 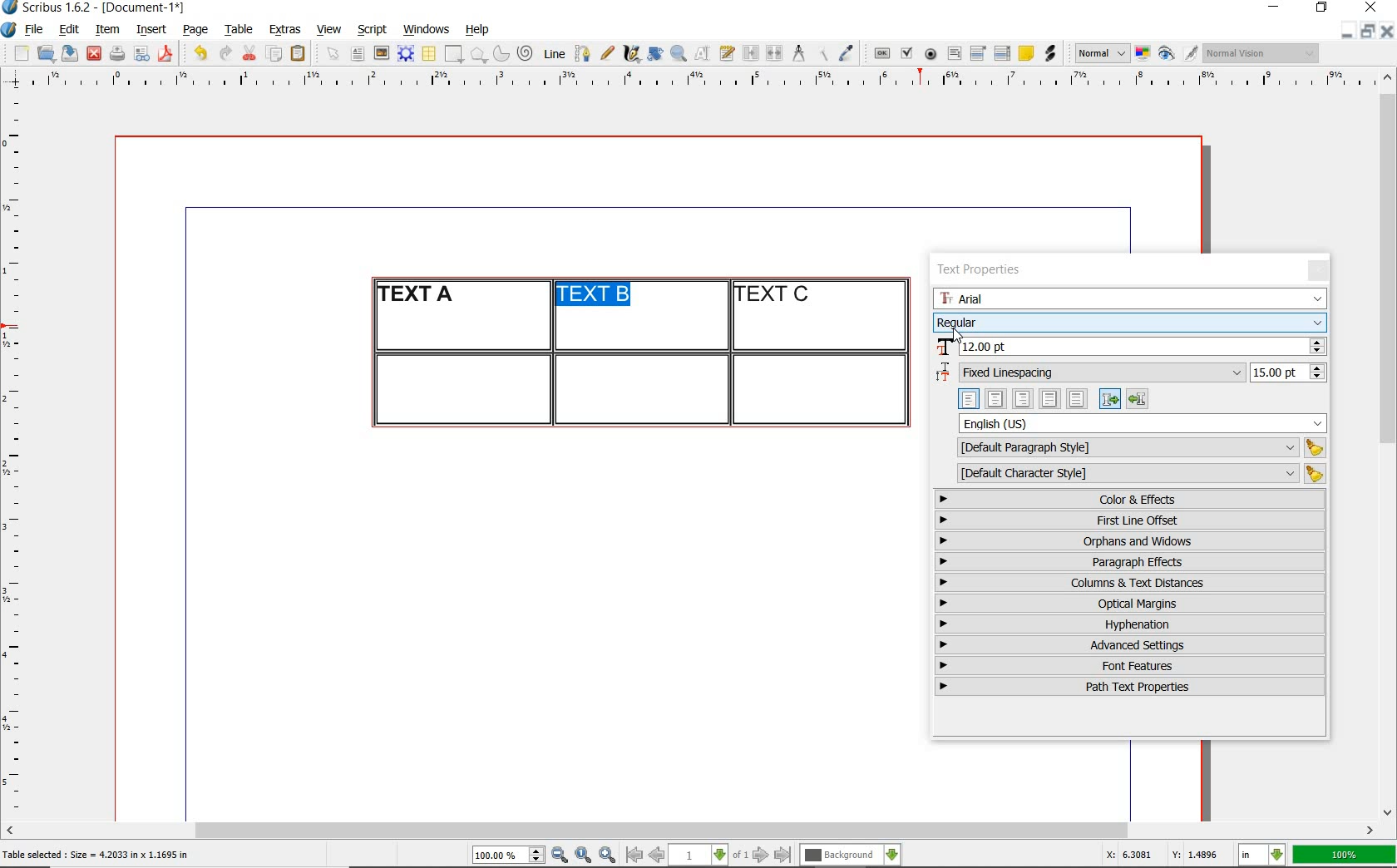 I want to click on spiral, so click(x=526, y=53).